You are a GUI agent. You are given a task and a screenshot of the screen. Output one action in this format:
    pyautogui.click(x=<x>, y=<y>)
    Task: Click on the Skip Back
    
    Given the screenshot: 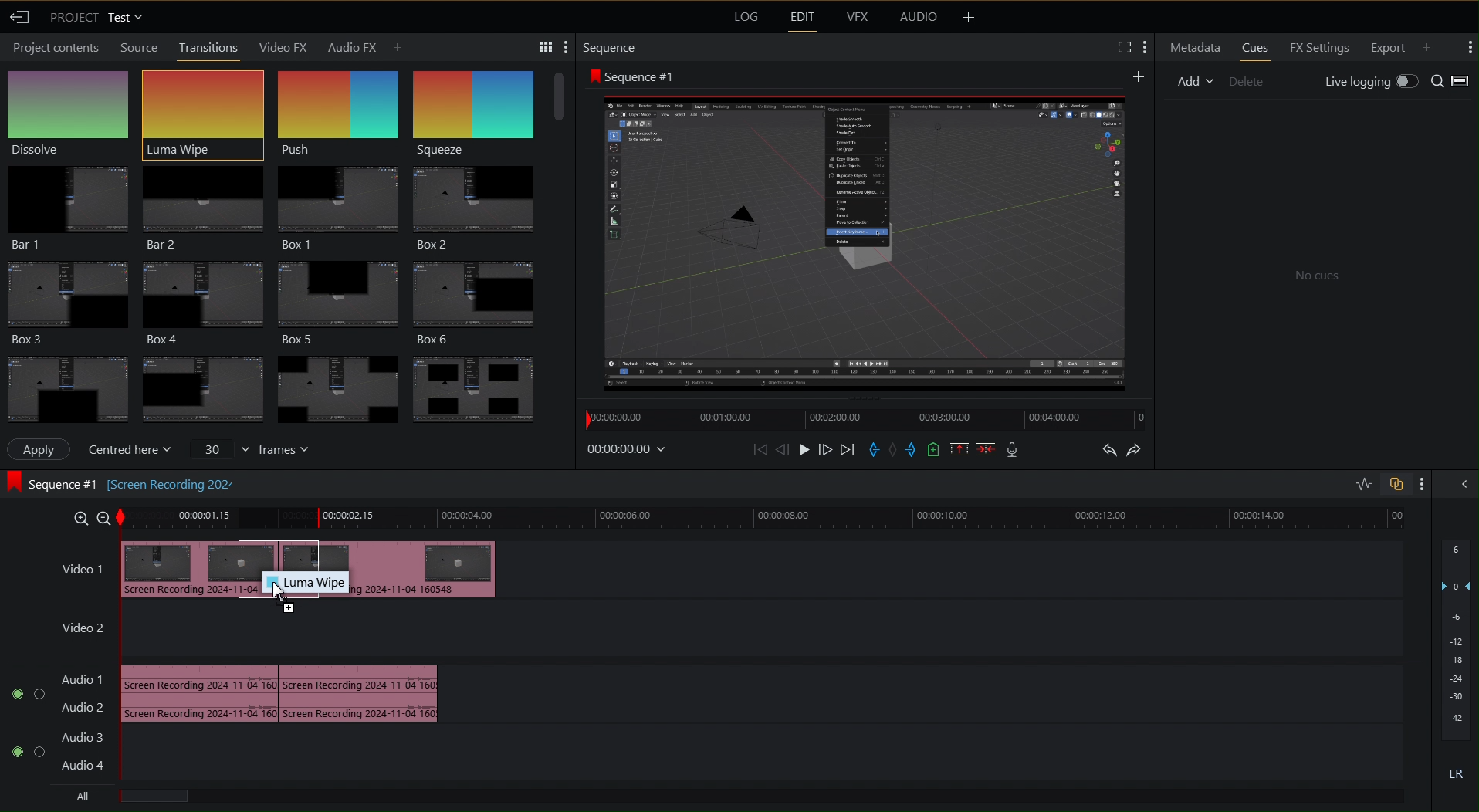 What is the action you would take?
    pyautogui.click(x=760, y=450)
    